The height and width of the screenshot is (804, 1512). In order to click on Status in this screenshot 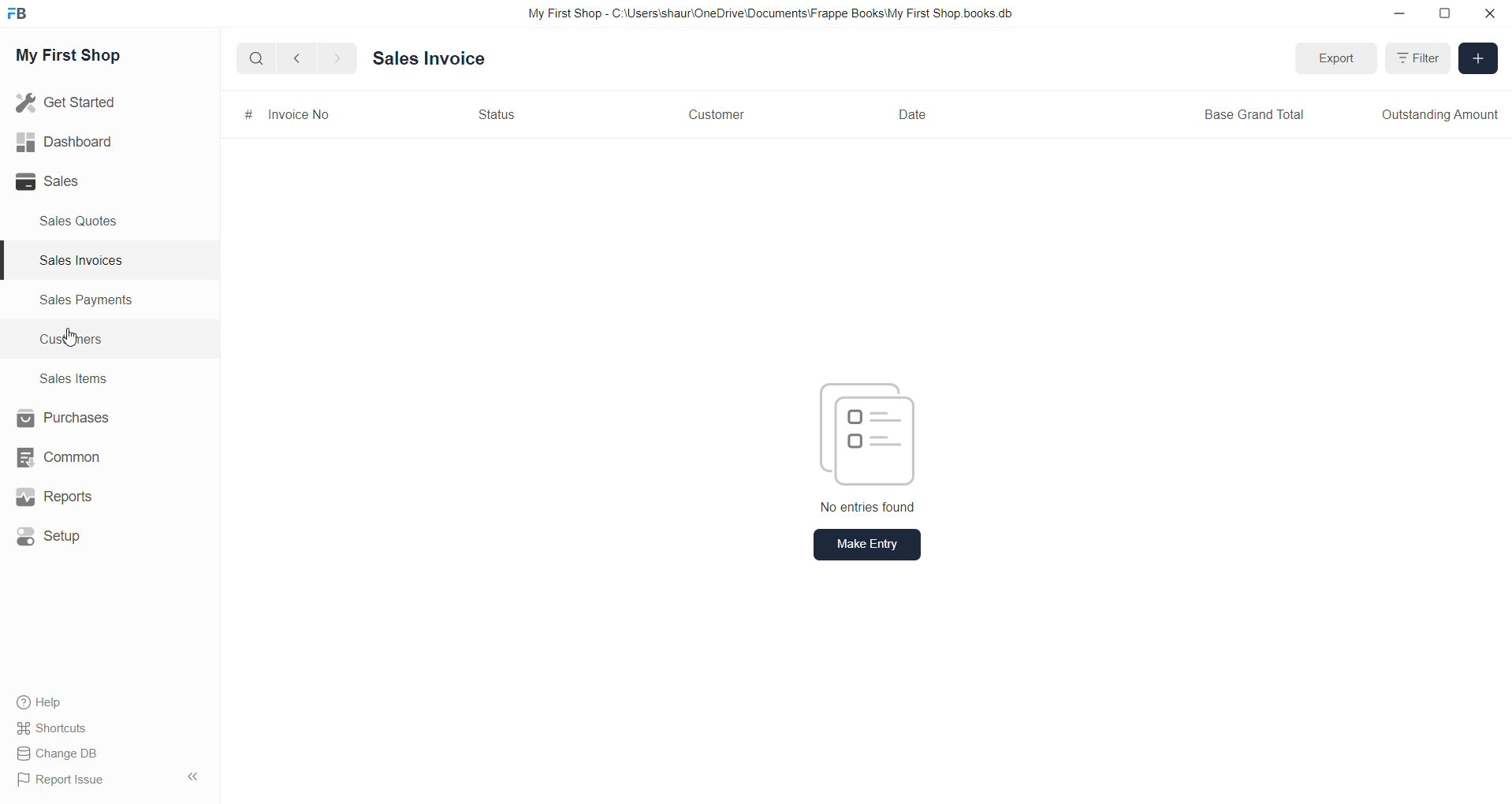, I will do `click(493, 115)`.